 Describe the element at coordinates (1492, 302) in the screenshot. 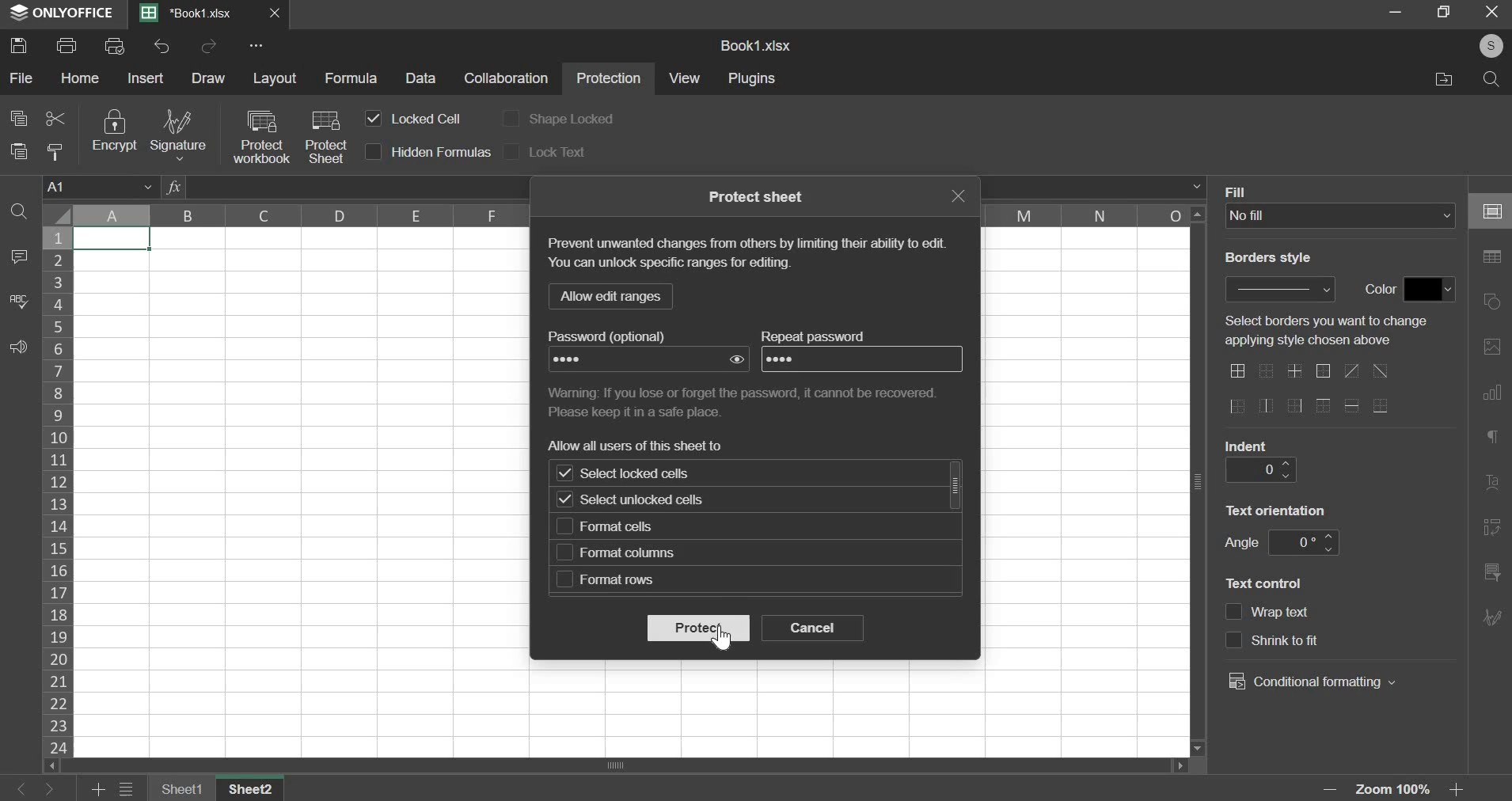

I see `right side bar` at that location.